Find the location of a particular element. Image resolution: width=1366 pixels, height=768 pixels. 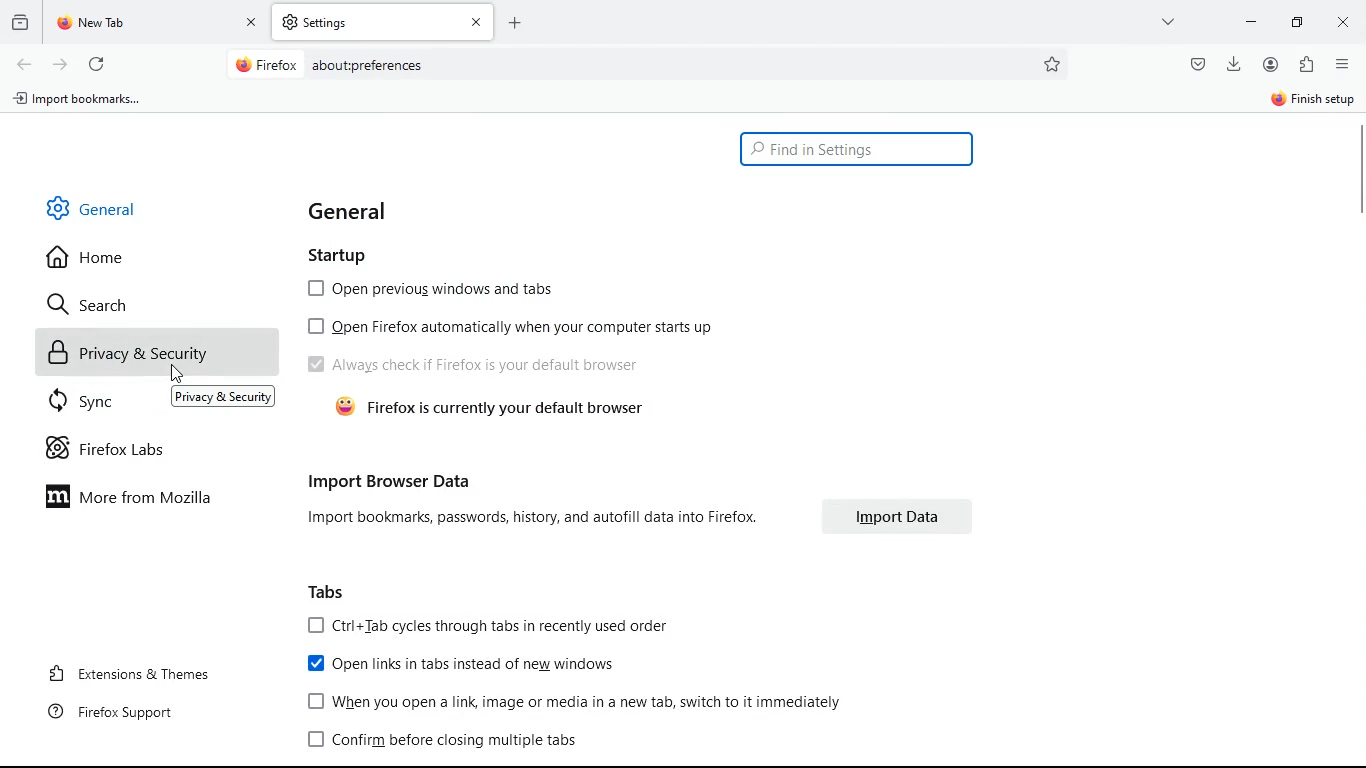

general is located at coordinates (352, 208).